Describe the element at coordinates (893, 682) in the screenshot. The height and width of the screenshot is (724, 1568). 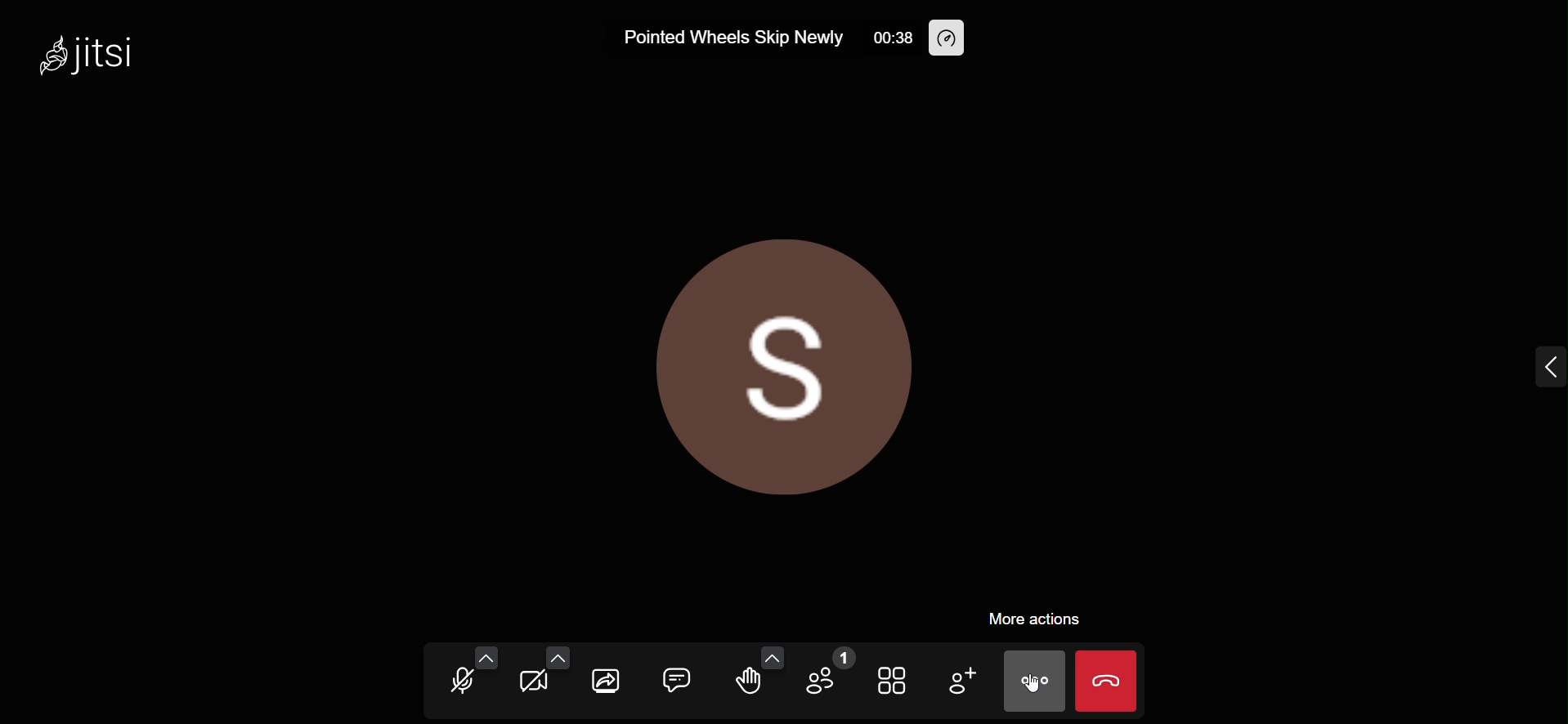
I see `toggle view` at that location.